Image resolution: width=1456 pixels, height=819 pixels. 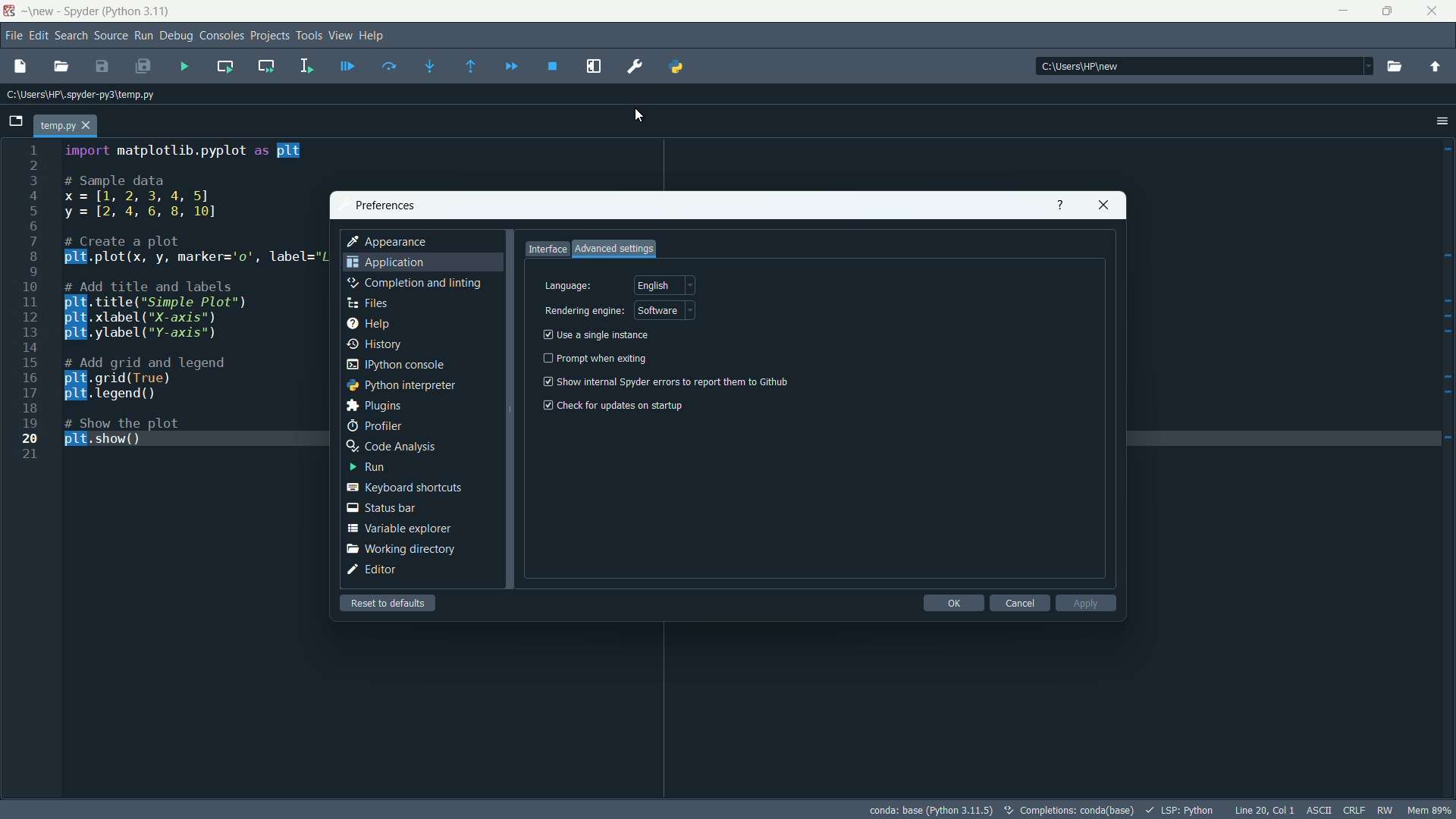 What do you see at coordinates (612, 406) in the screenshot?
I see `check for updates on startup` at bounding box center [612, 406].